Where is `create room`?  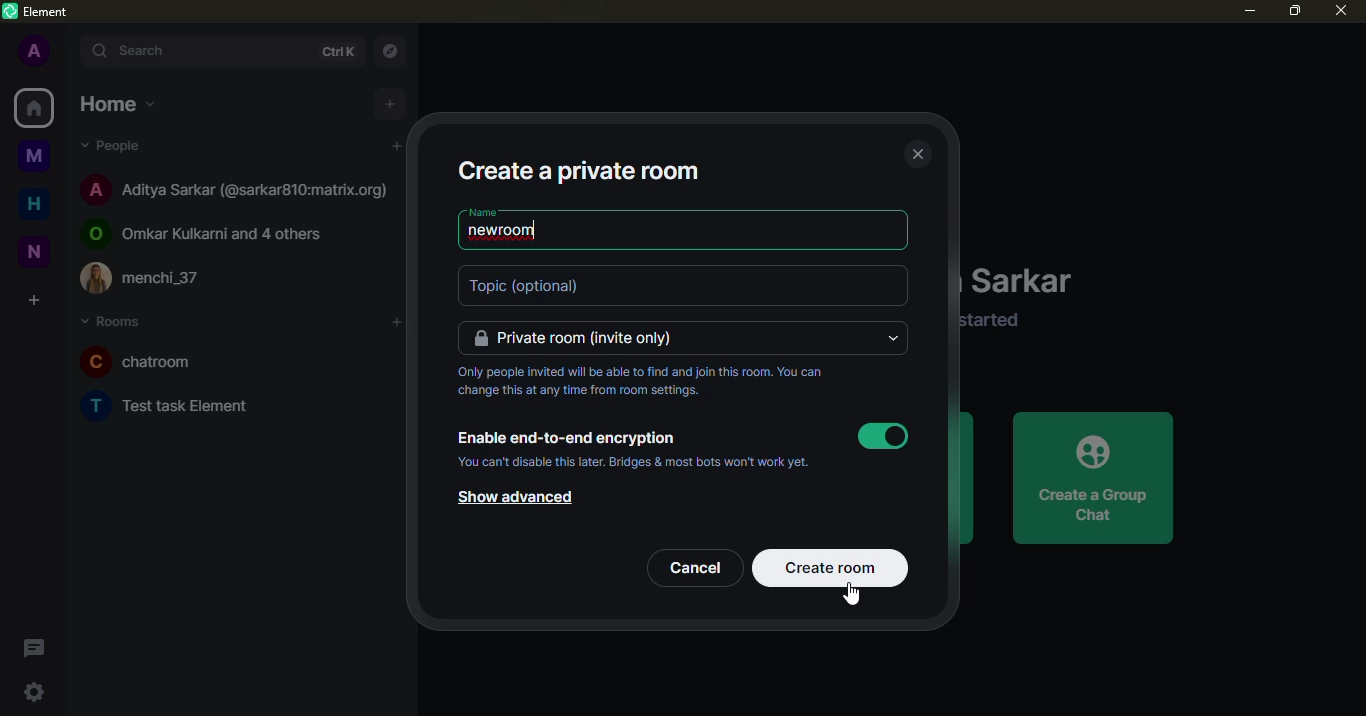 create room is located at coordinates (835, 568).